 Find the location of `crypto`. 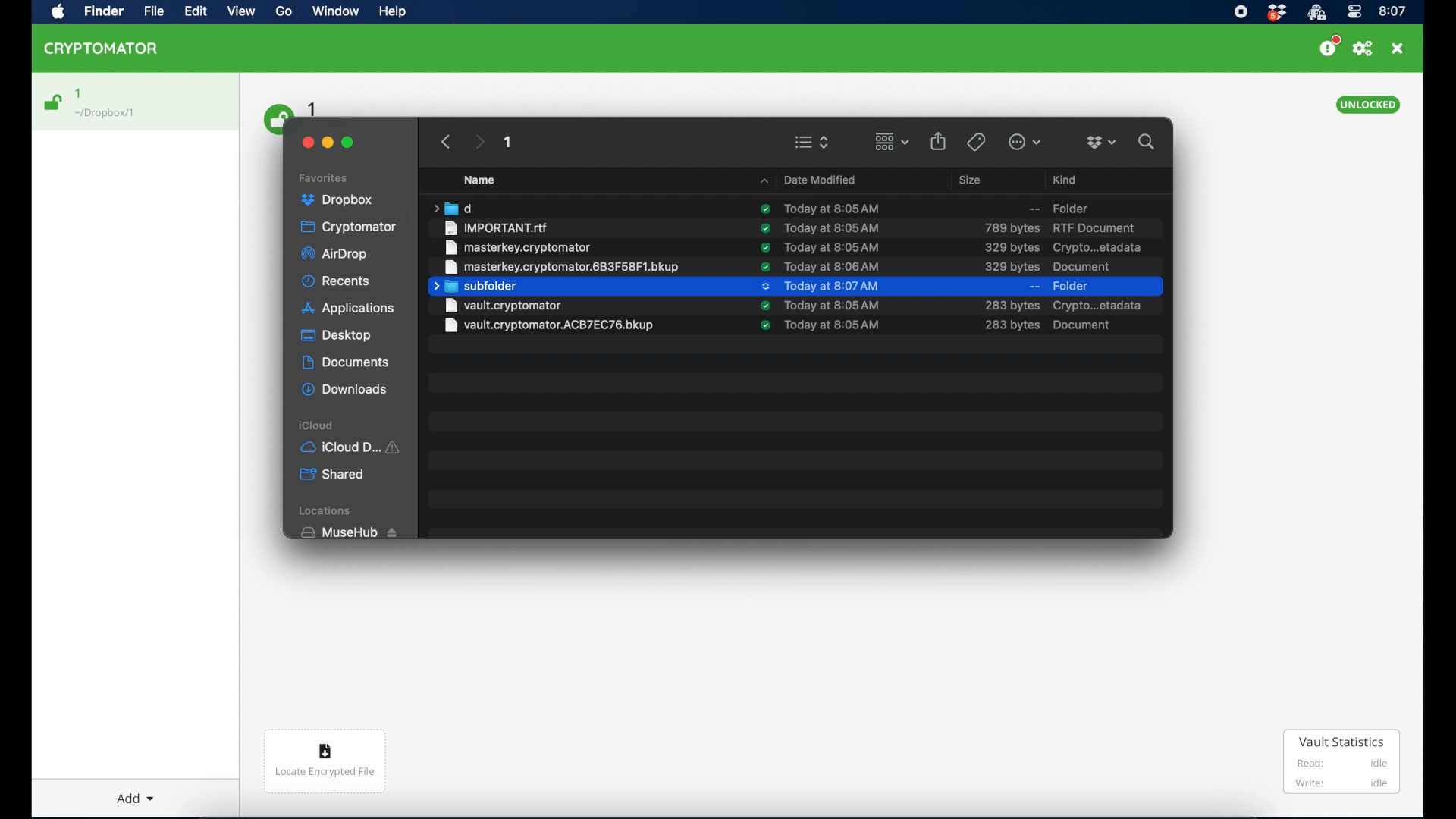

crypto is located at coordinates (1097, 248).